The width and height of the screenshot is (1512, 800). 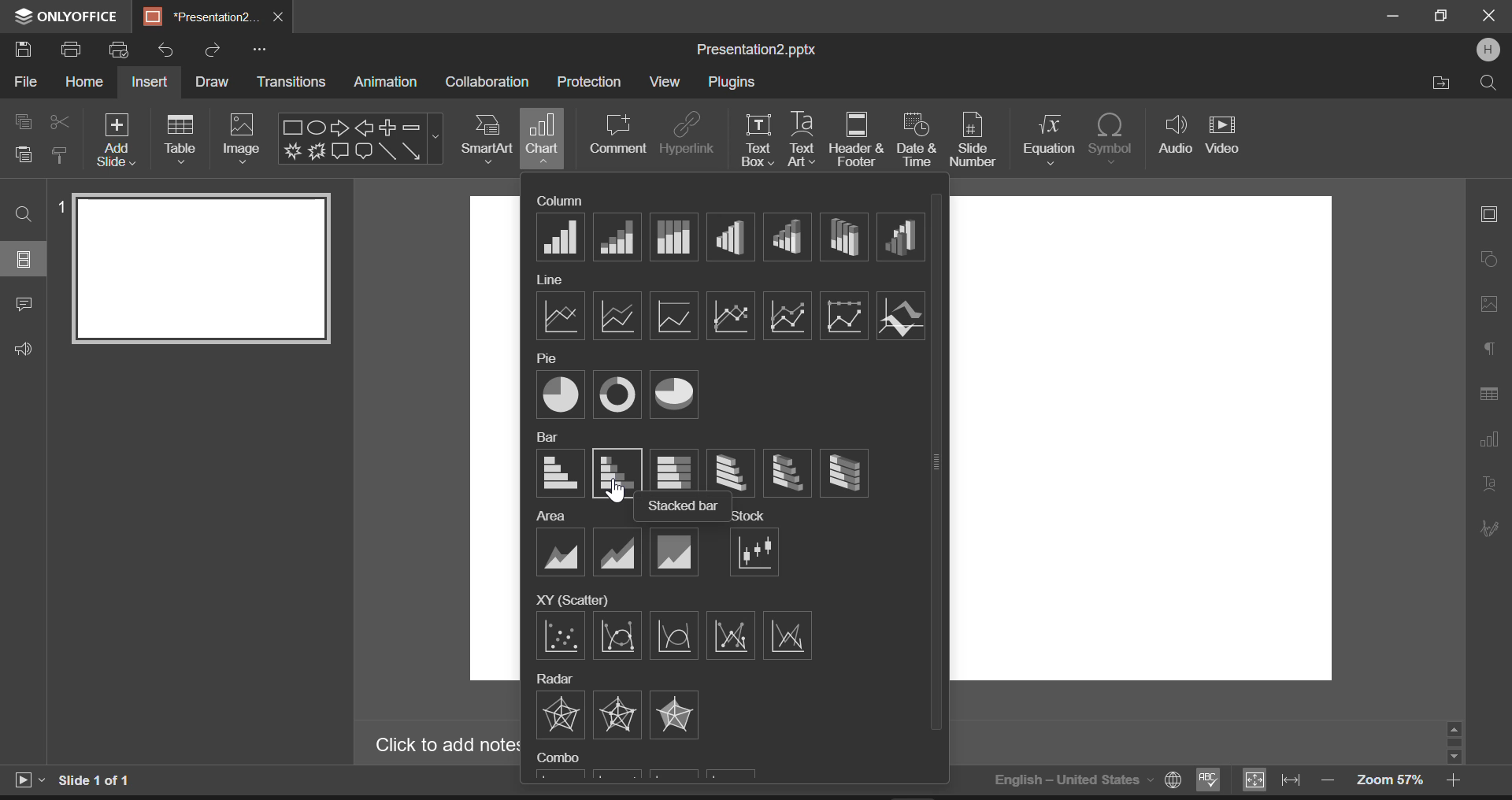 What do you see at coordinates (676, 637) in the screenshot?
I see `Scatter with smooth lines` at bounding box center [676, 637].